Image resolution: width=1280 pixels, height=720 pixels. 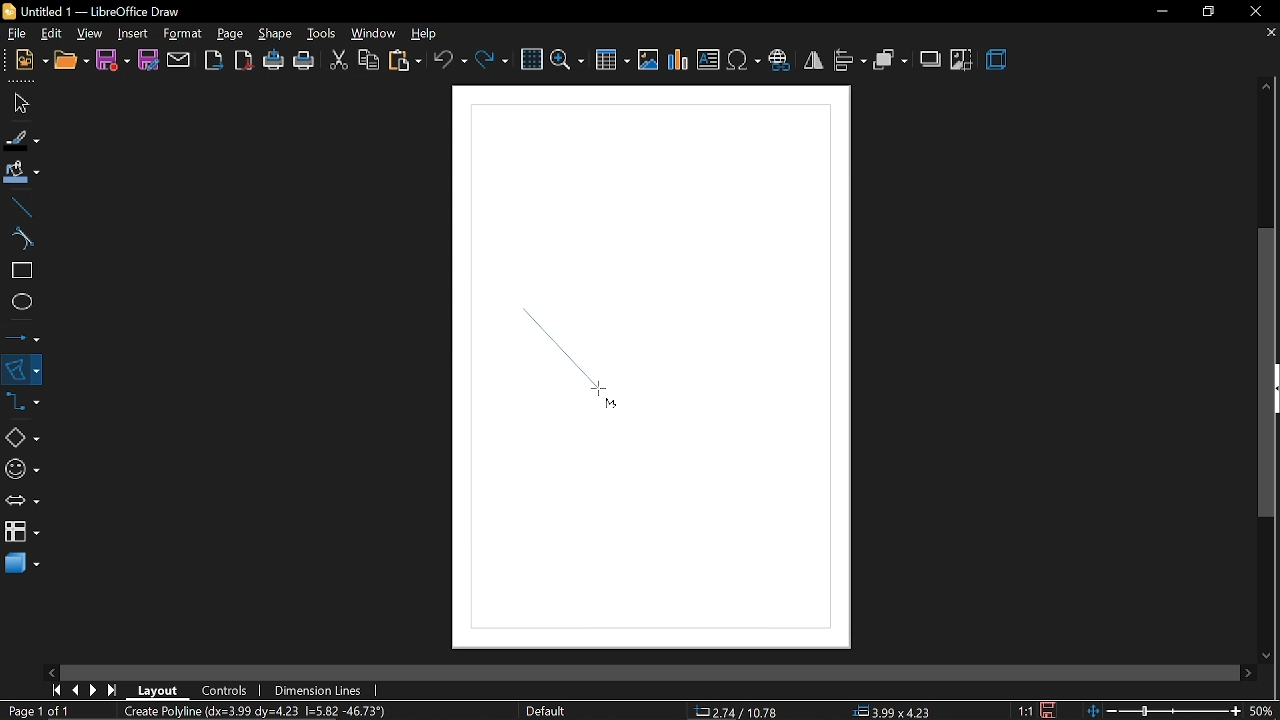 I want to click on tools, so click(x=321, y=34).